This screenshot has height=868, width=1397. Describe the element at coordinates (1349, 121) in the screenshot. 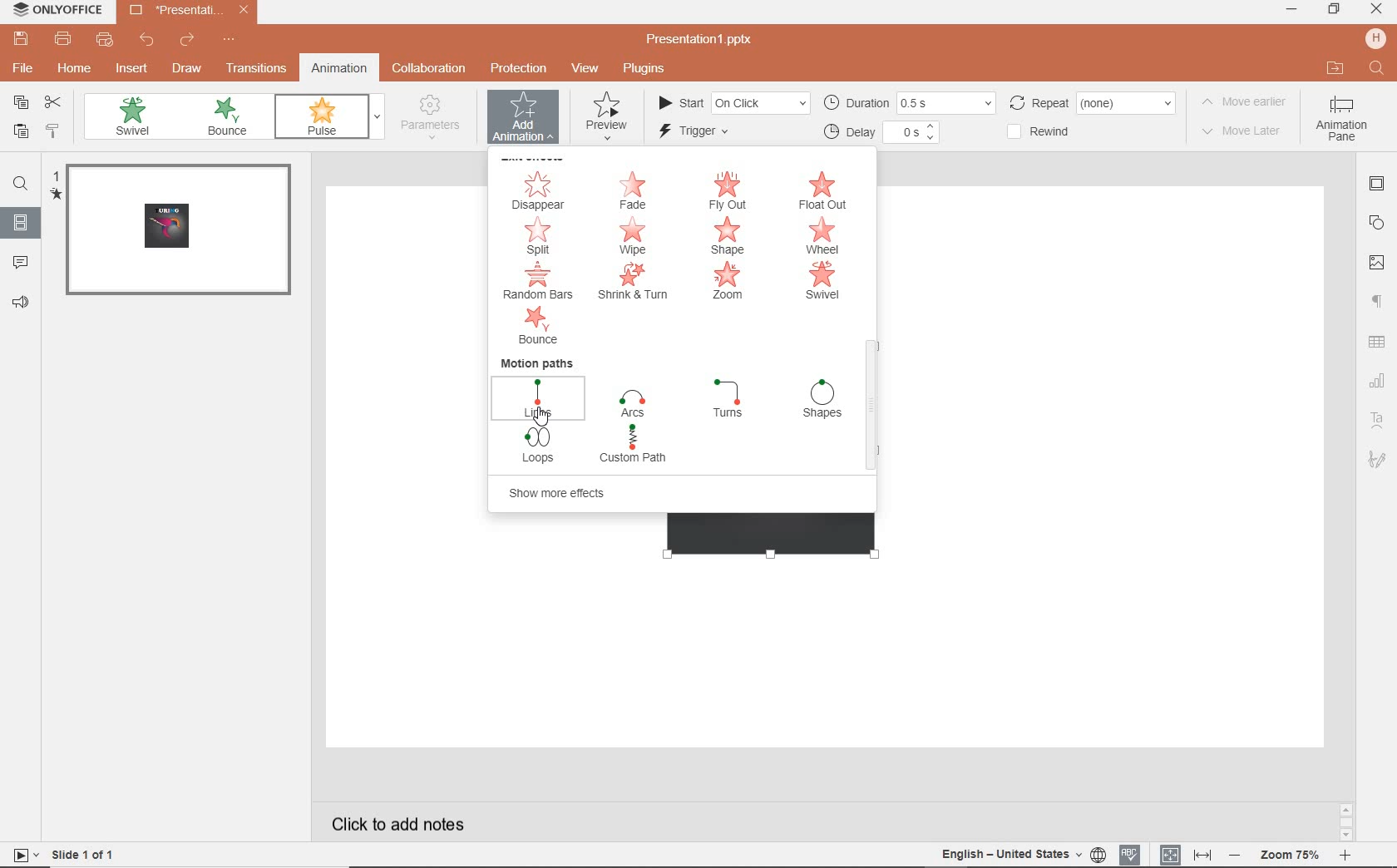

I see `animation pane` at that location.